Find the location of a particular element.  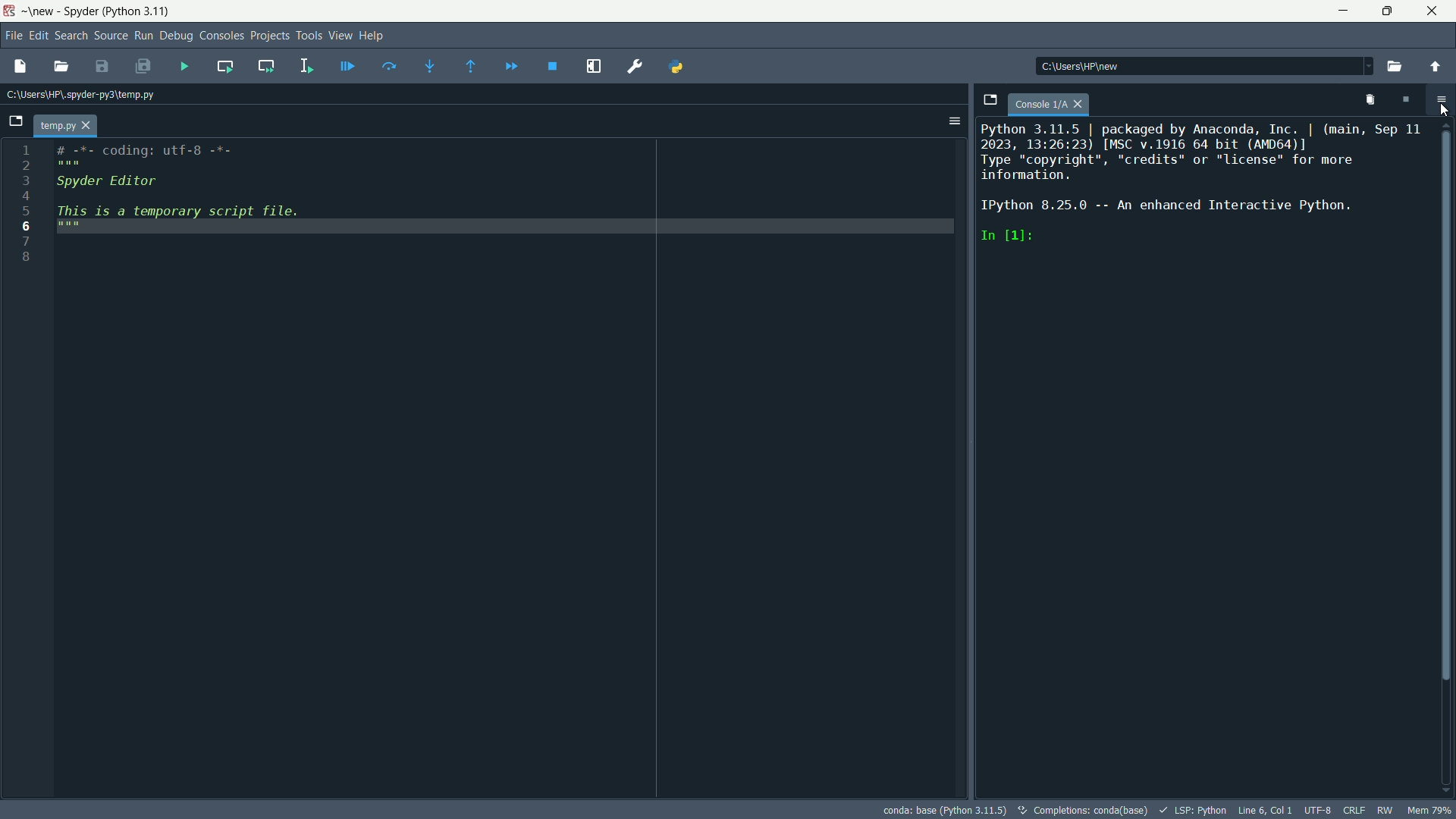

conda: base (Python 3.11.5) is located at coordinates (944, 810).